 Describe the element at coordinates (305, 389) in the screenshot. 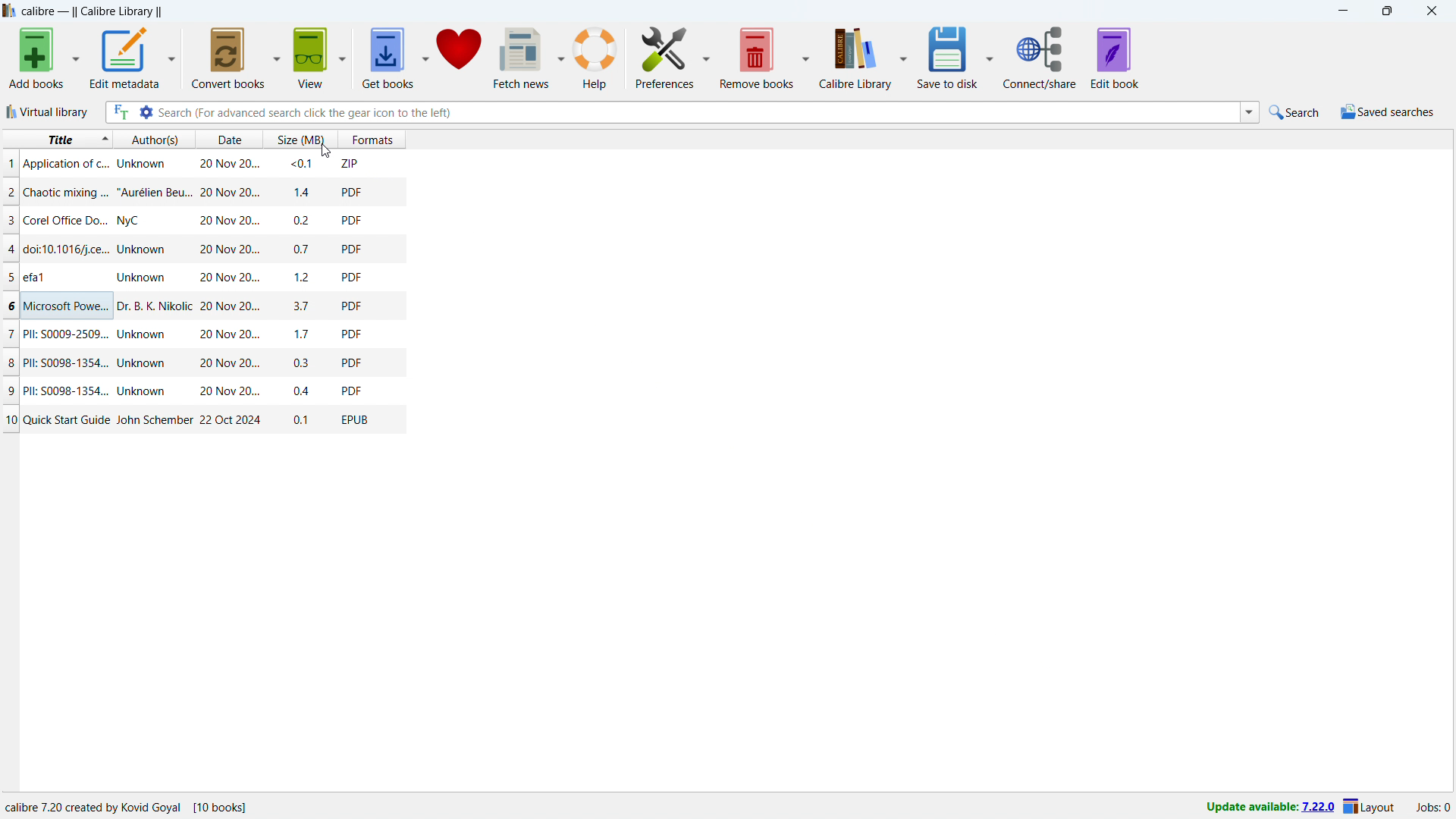

I see `size` at that location.